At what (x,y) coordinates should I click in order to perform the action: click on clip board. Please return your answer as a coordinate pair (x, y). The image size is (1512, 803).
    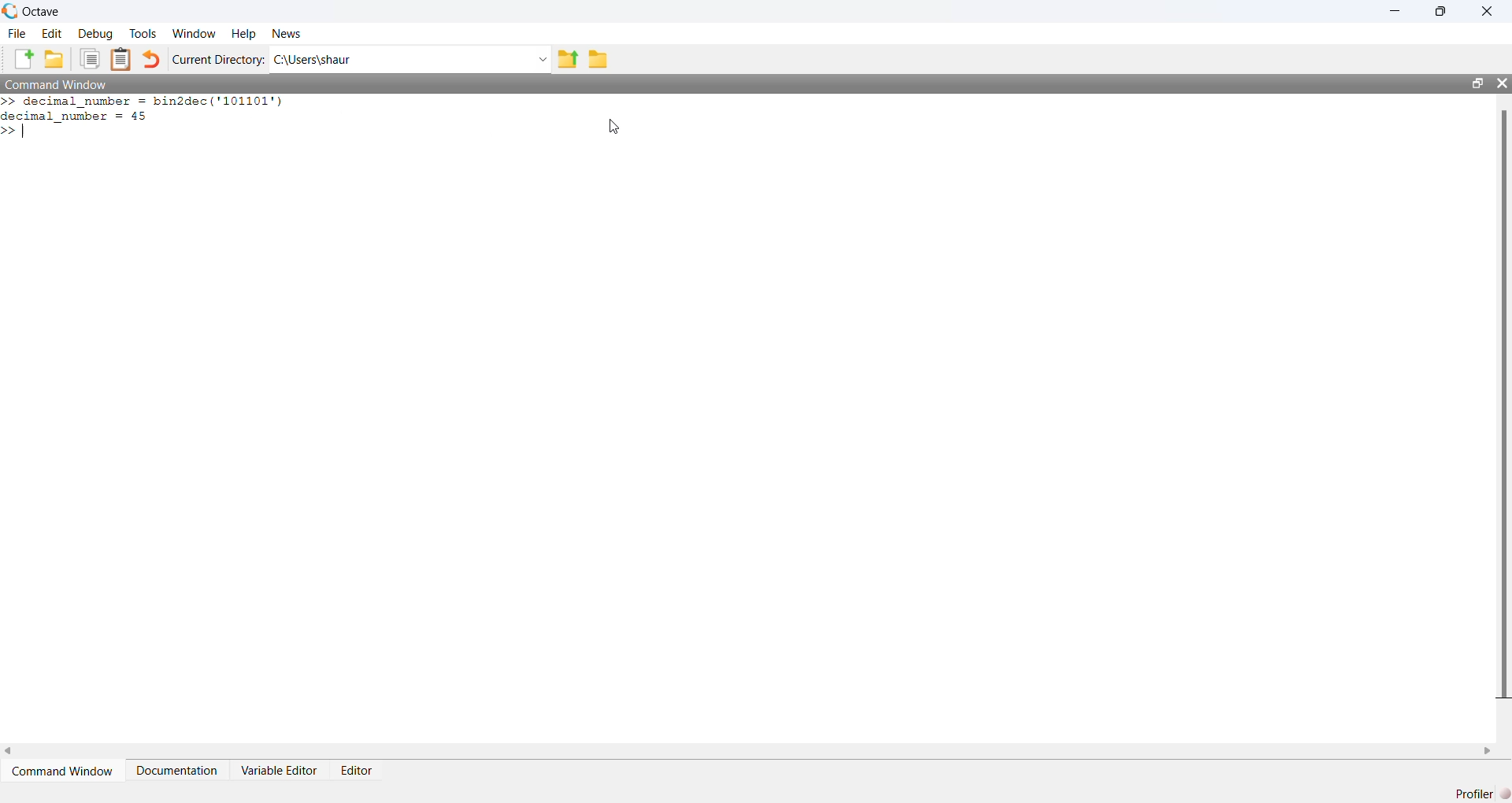
    Looking at the image, I should click on (121, 59).